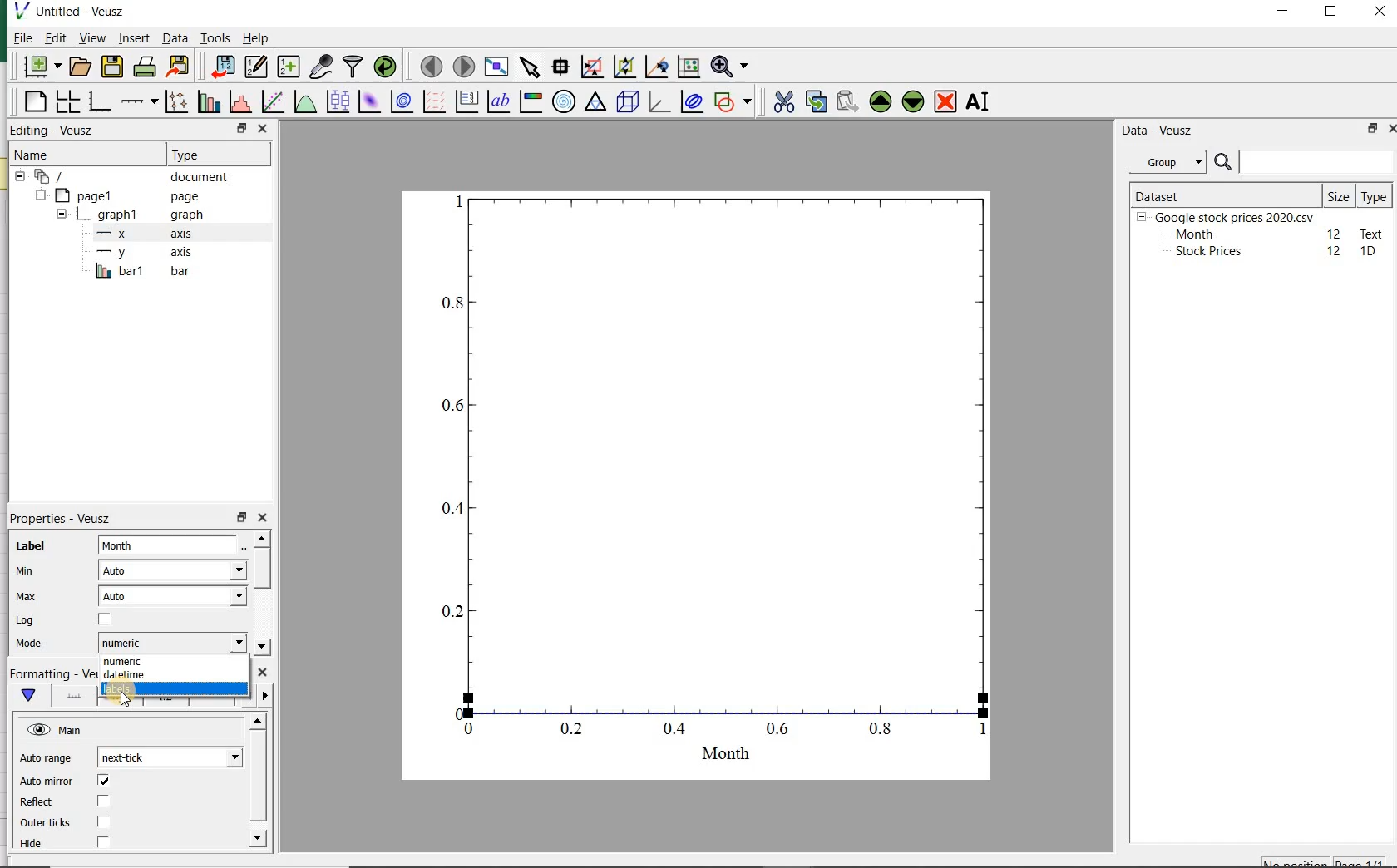  What do you see at coordinates (815, 102) in the screenshot?
I see `copy the selected widget` at bounding box center [815, 102].